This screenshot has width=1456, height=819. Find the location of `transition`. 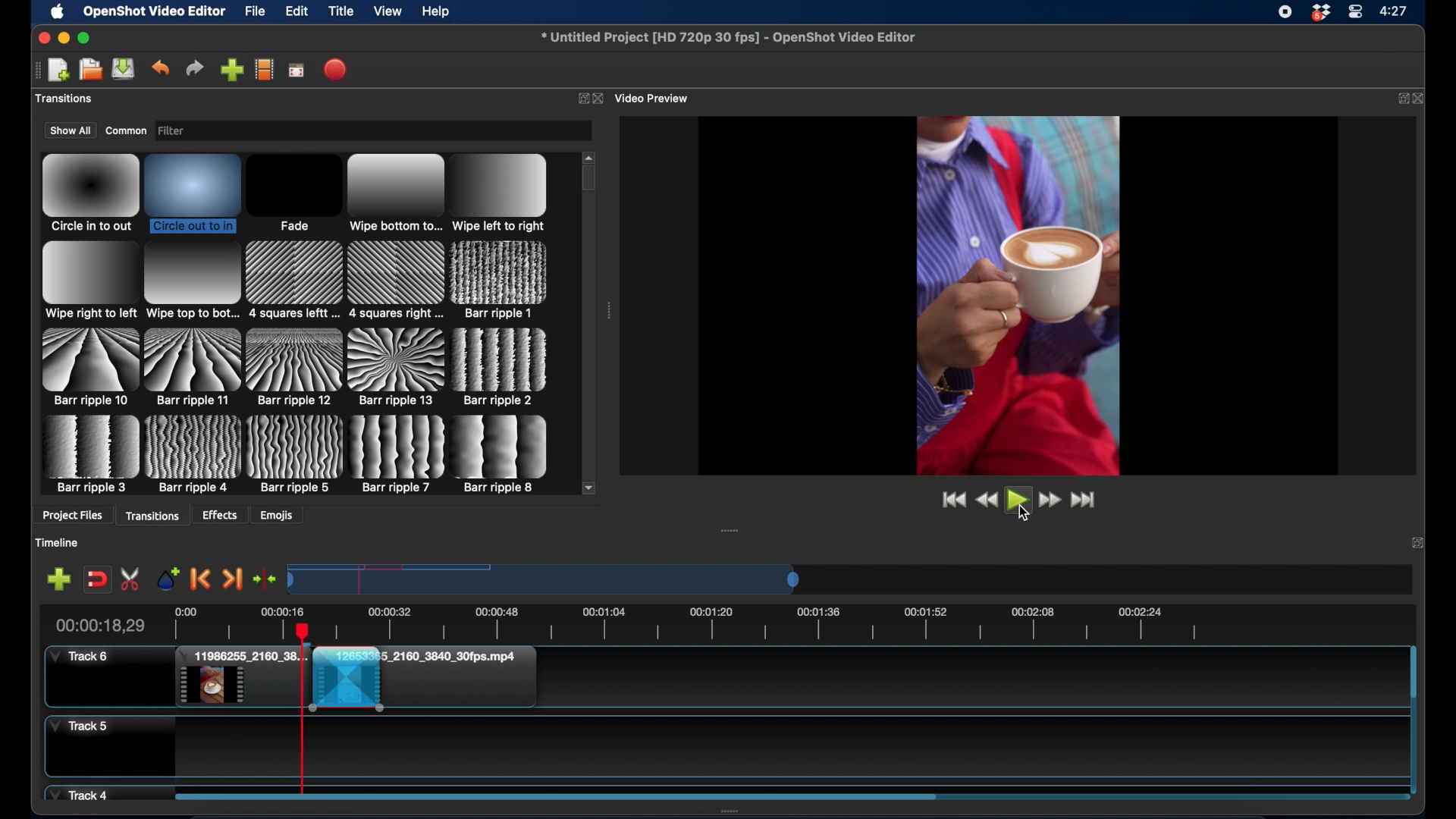

transition is located at coordinates (500, 280).